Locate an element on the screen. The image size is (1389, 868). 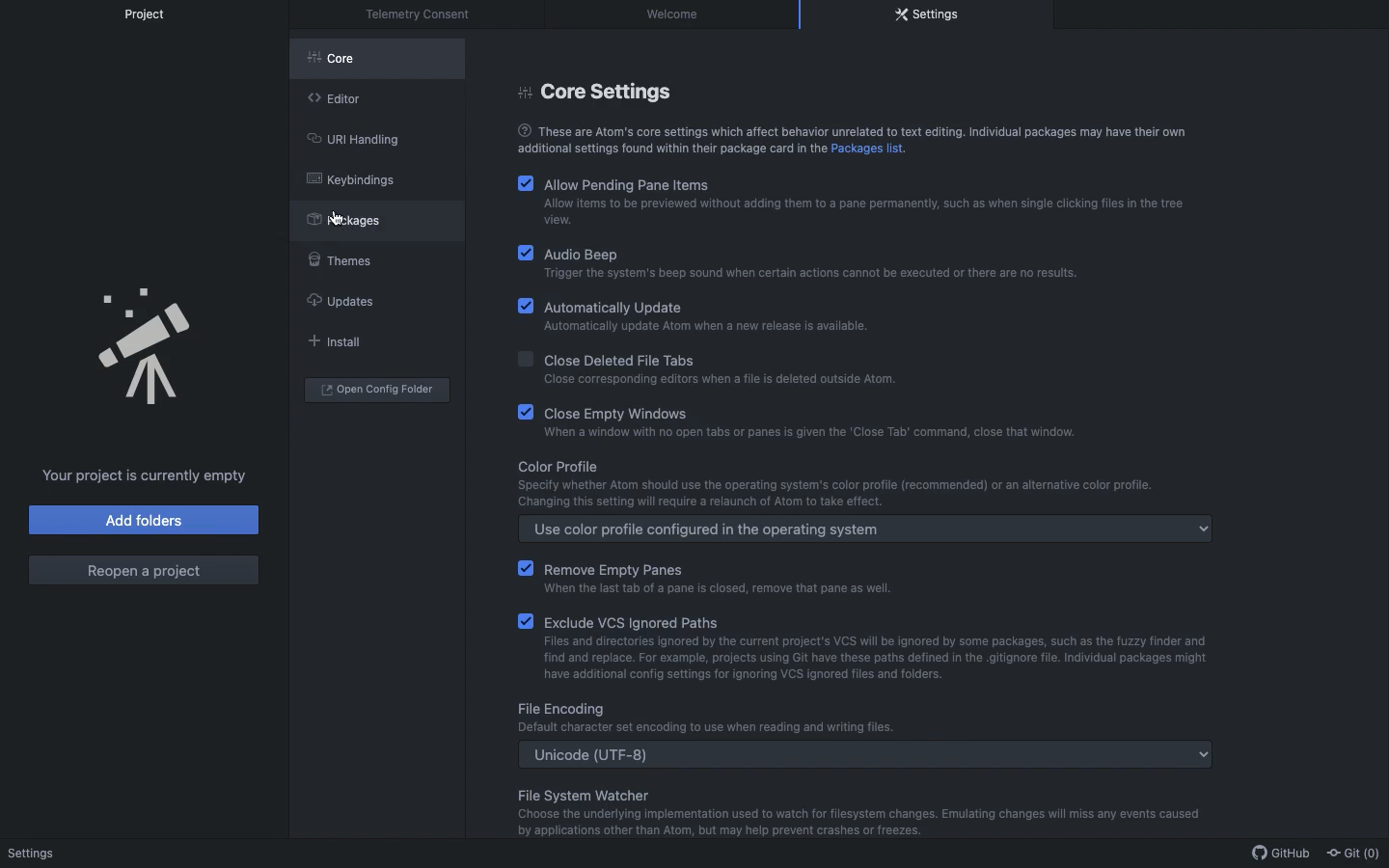
Telemetry consent is located at coordinates (423, 14).